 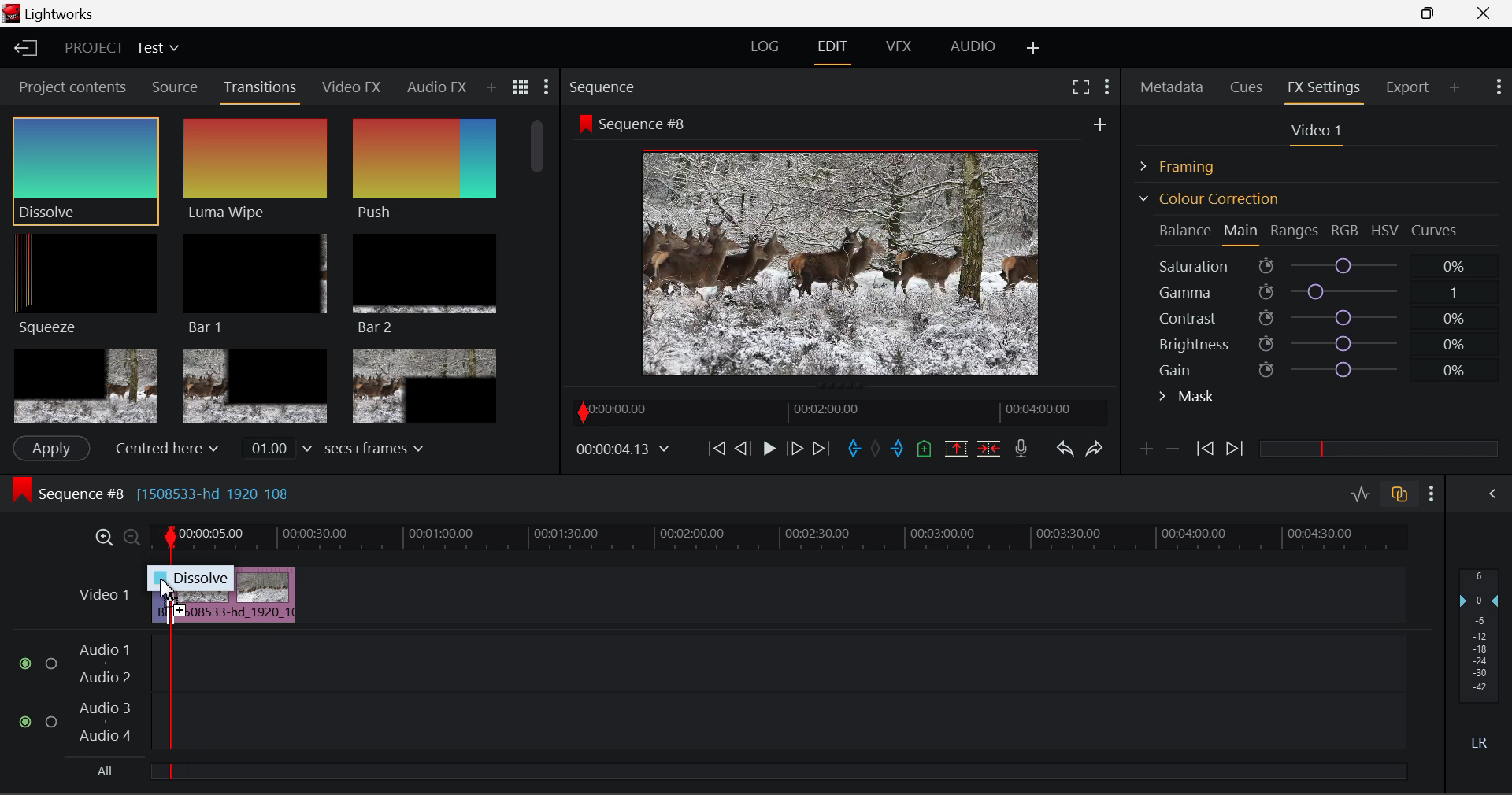 I want to click on Restore Down, so click(x=1379, y=13).